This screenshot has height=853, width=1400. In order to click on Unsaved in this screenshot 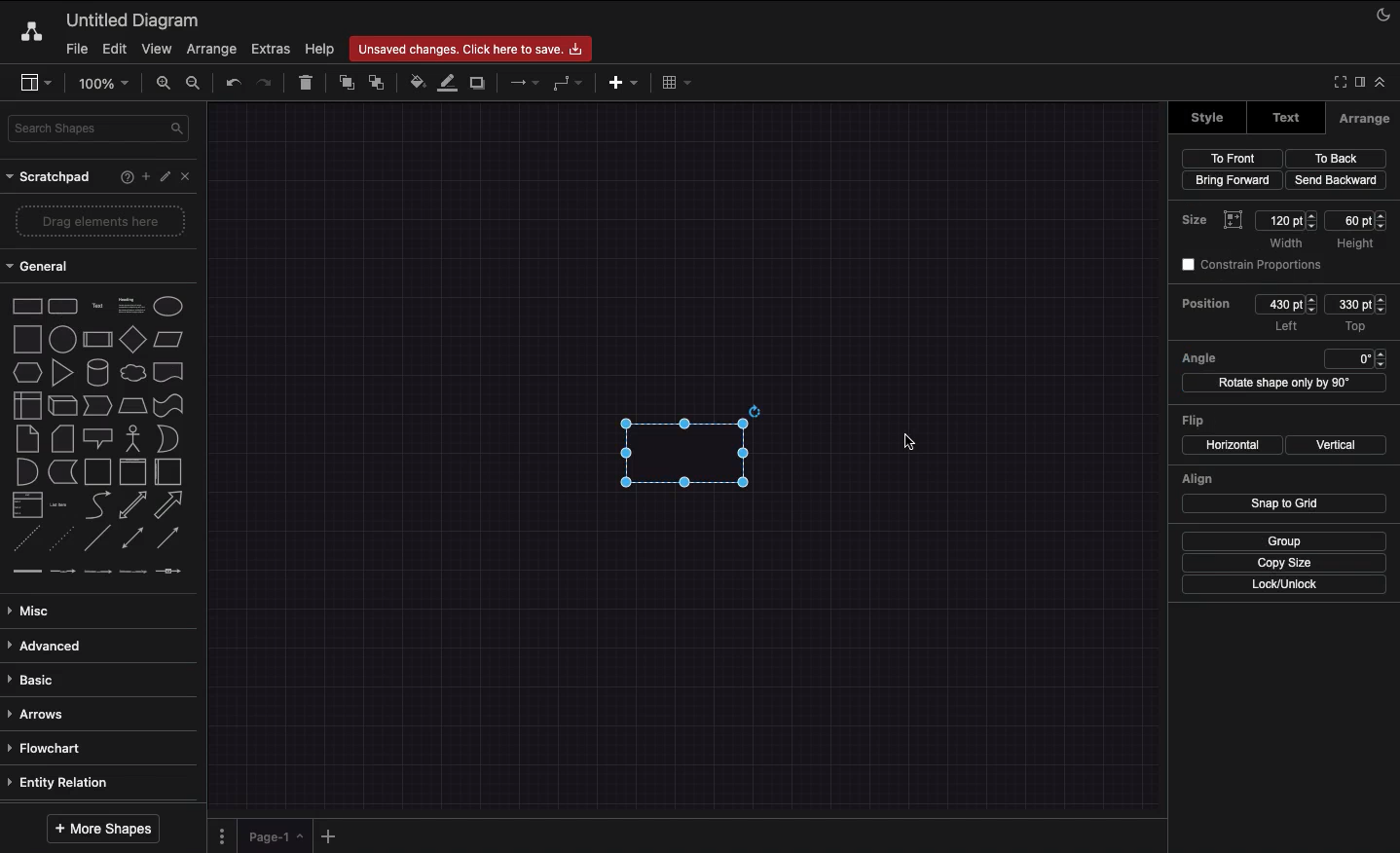, I will do `click(470, 50)`.